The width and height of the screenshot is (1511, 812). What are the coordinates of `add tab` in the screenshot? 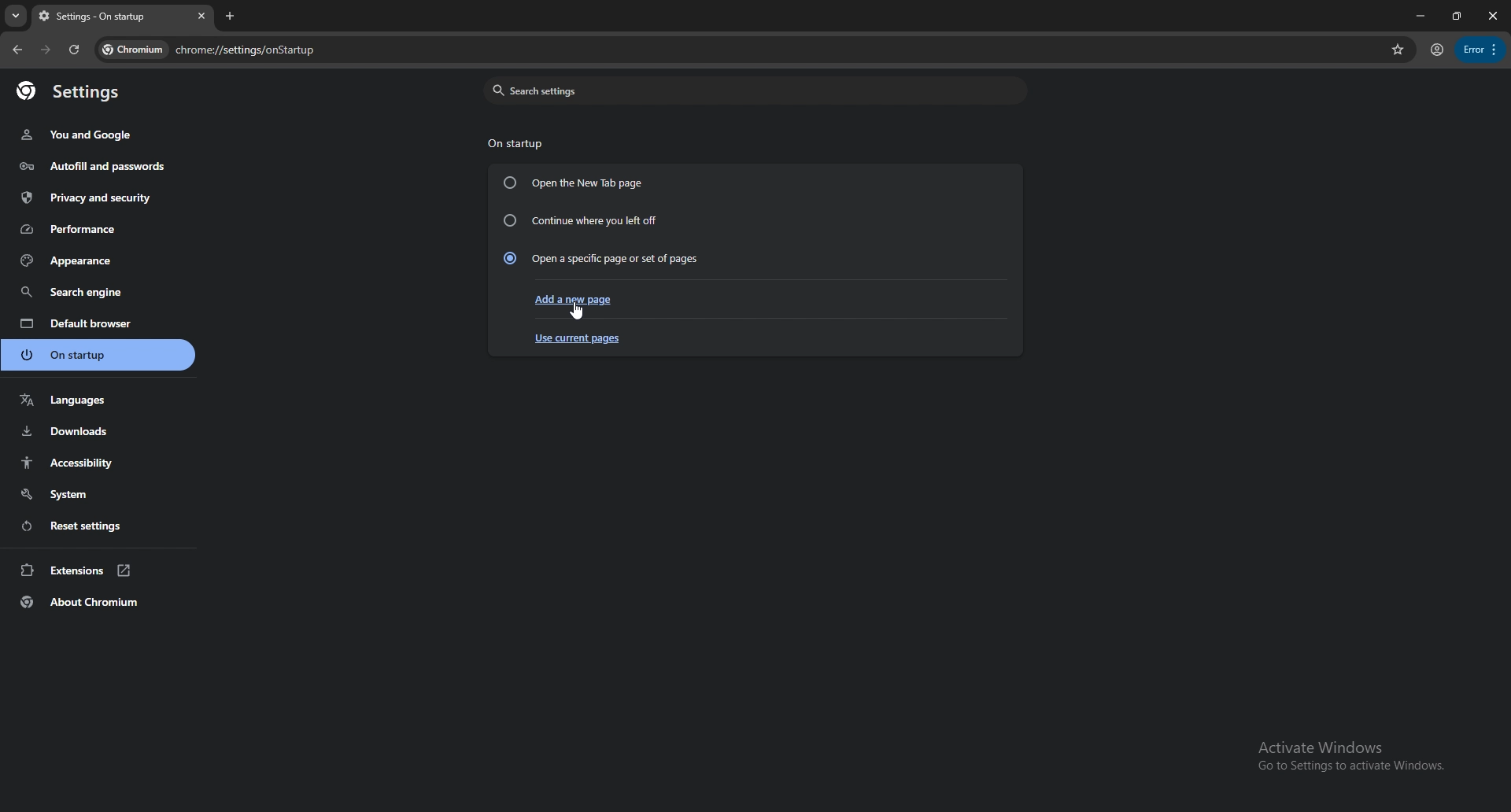 It's located at (232, 16).